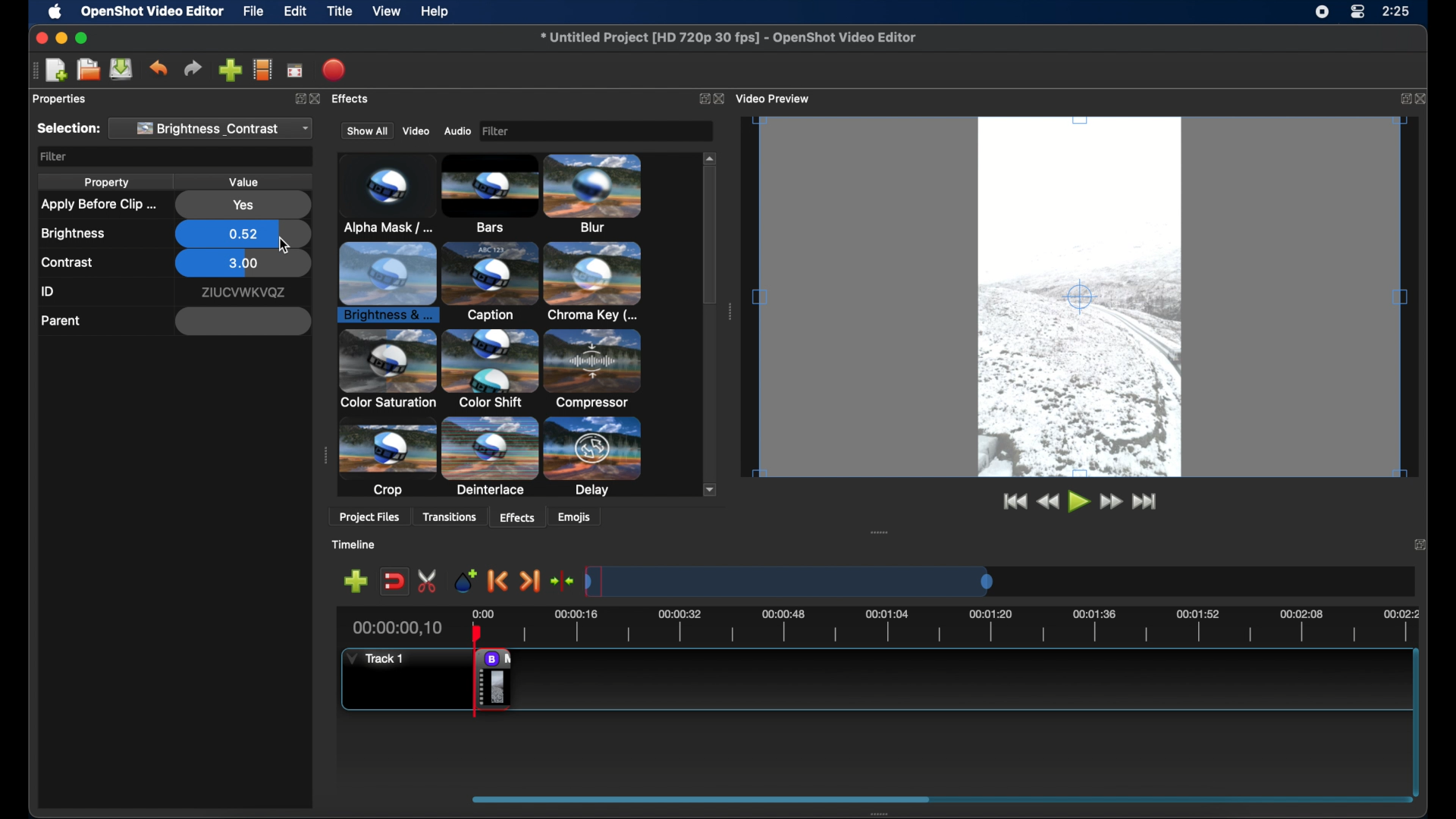 The image size is (1456, 819). I want to click on play button, so click(1078, 503).